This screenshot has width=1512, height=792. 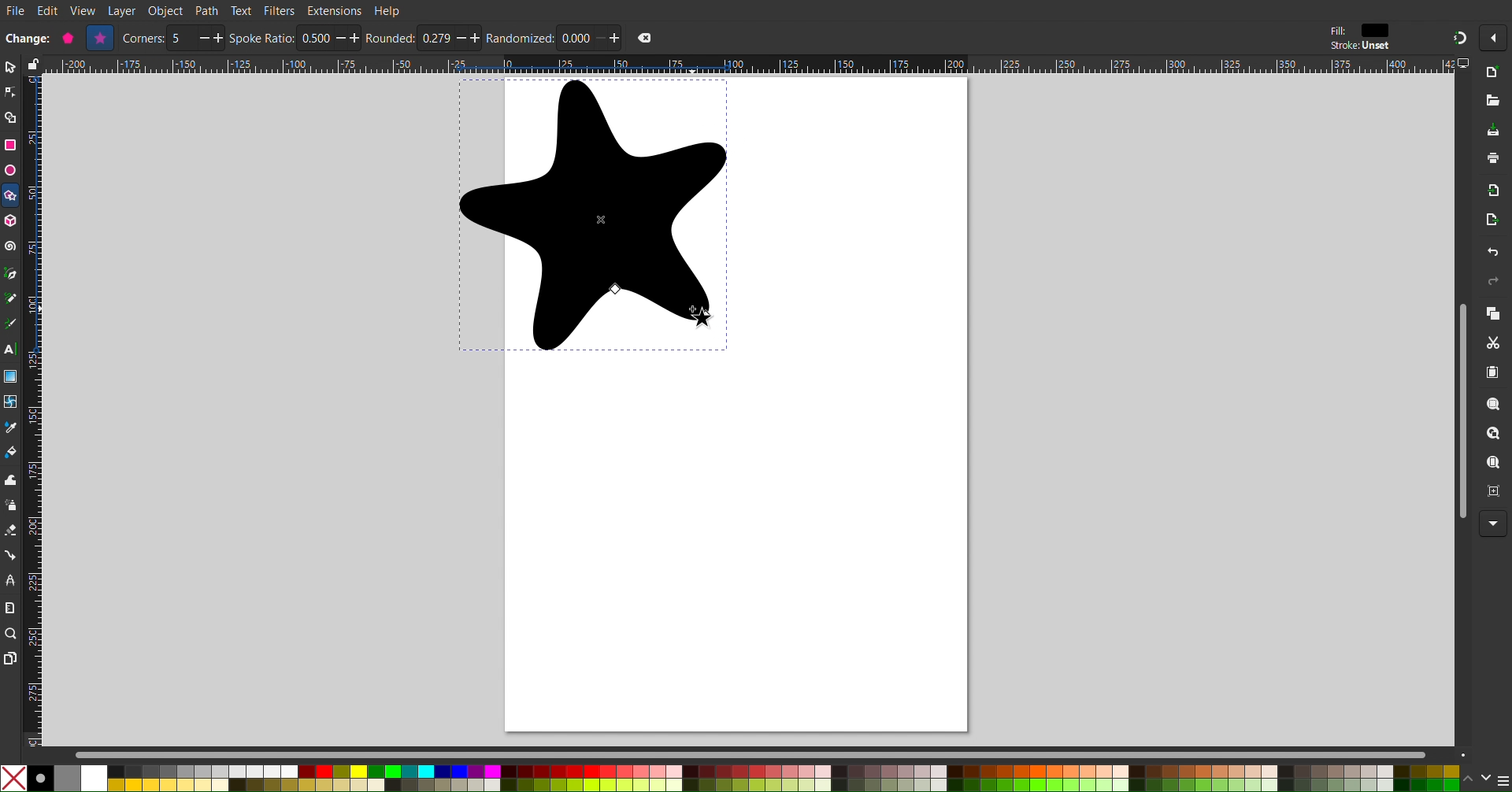 What do you see at coordinates (50, 11) in the screenshot?
I see `Edit` at bounding box center [50, 11].